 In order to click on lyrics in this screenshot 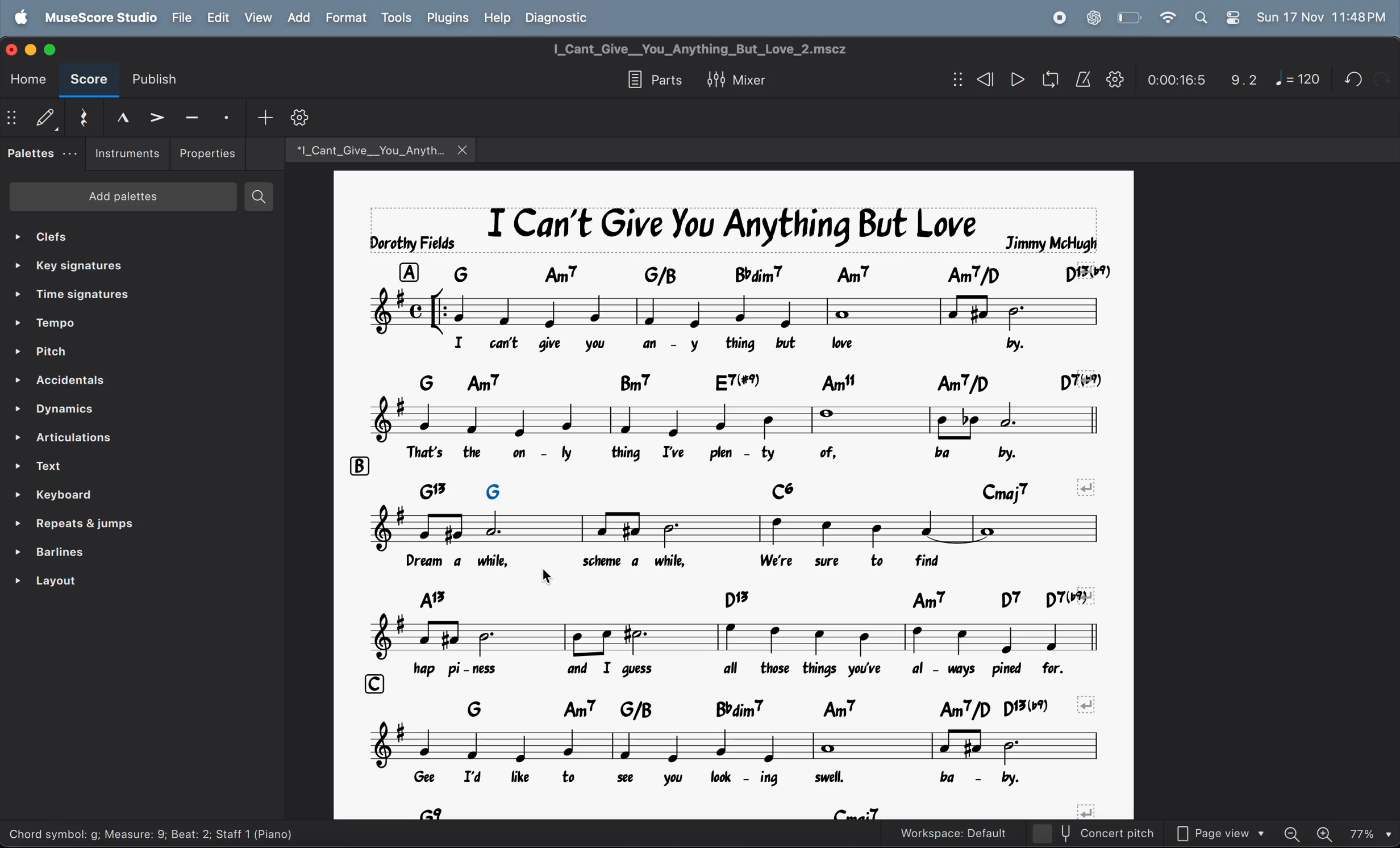, I will do `click(725, 778)`.